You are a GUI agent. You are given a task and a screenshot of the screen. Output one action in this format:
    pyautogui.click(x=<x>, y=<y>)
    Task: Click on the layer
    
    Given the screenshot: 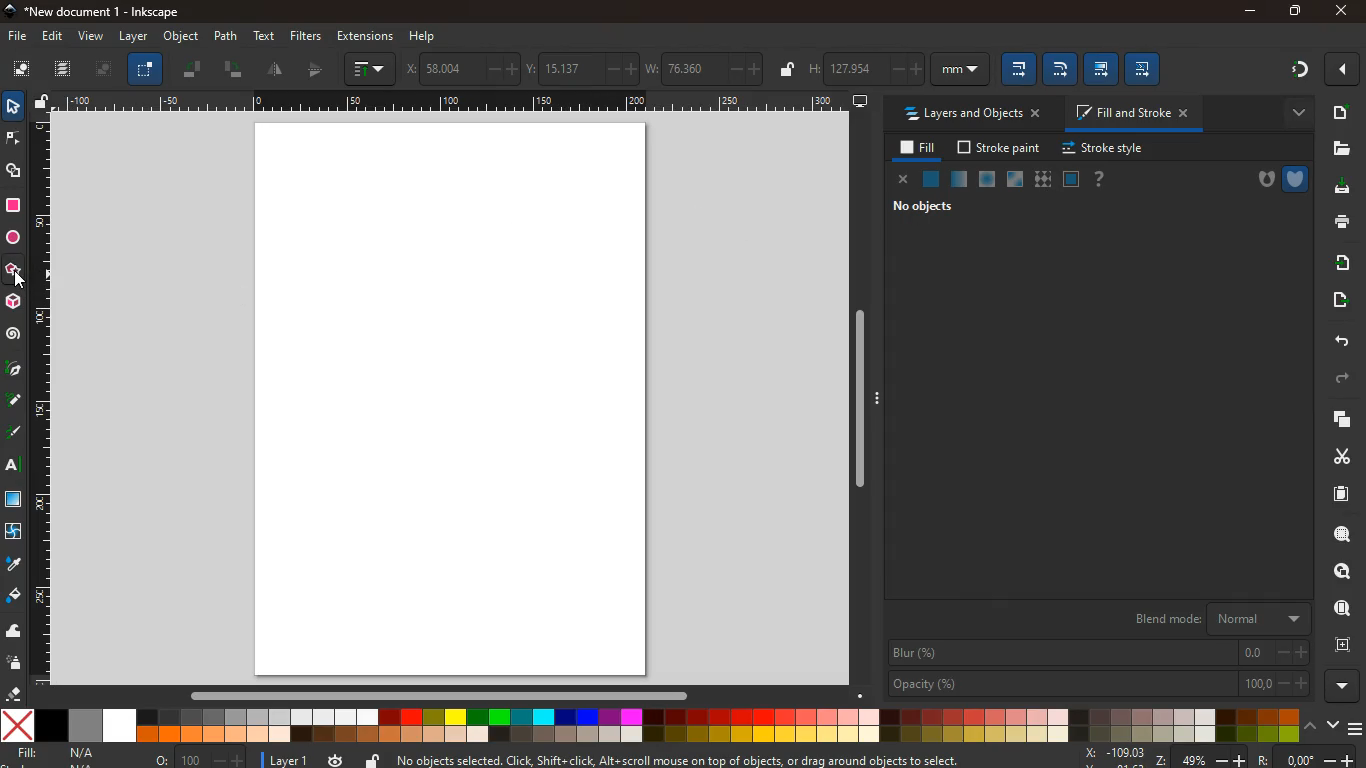 What is the action you would take?
    pyautogui.click(x=131, y=37)
    